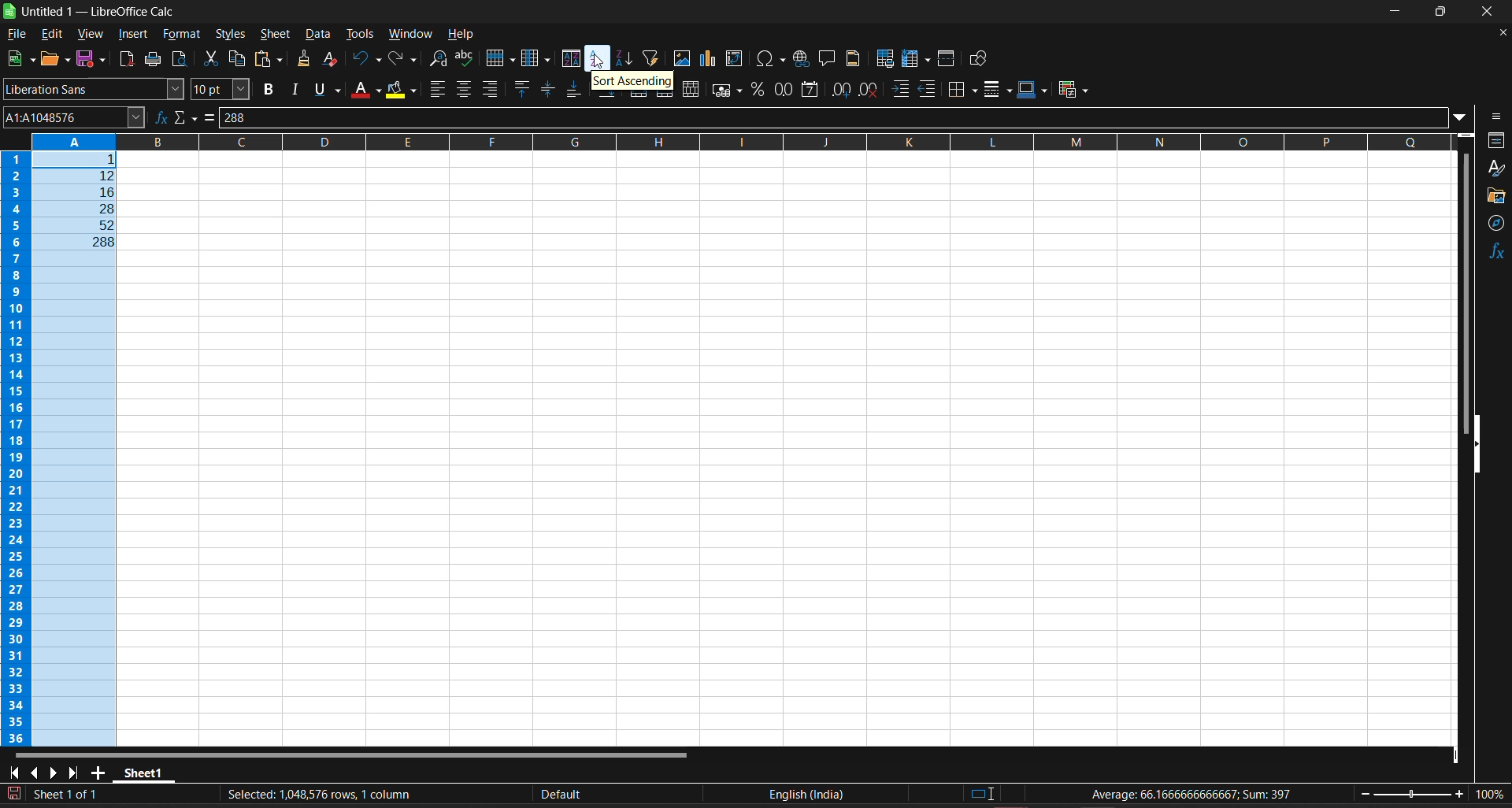 The height and width of the screenshot is (808, 1512). Describe the element at coordinates (211, 117) in the screenshot. I see `formula` at that location.